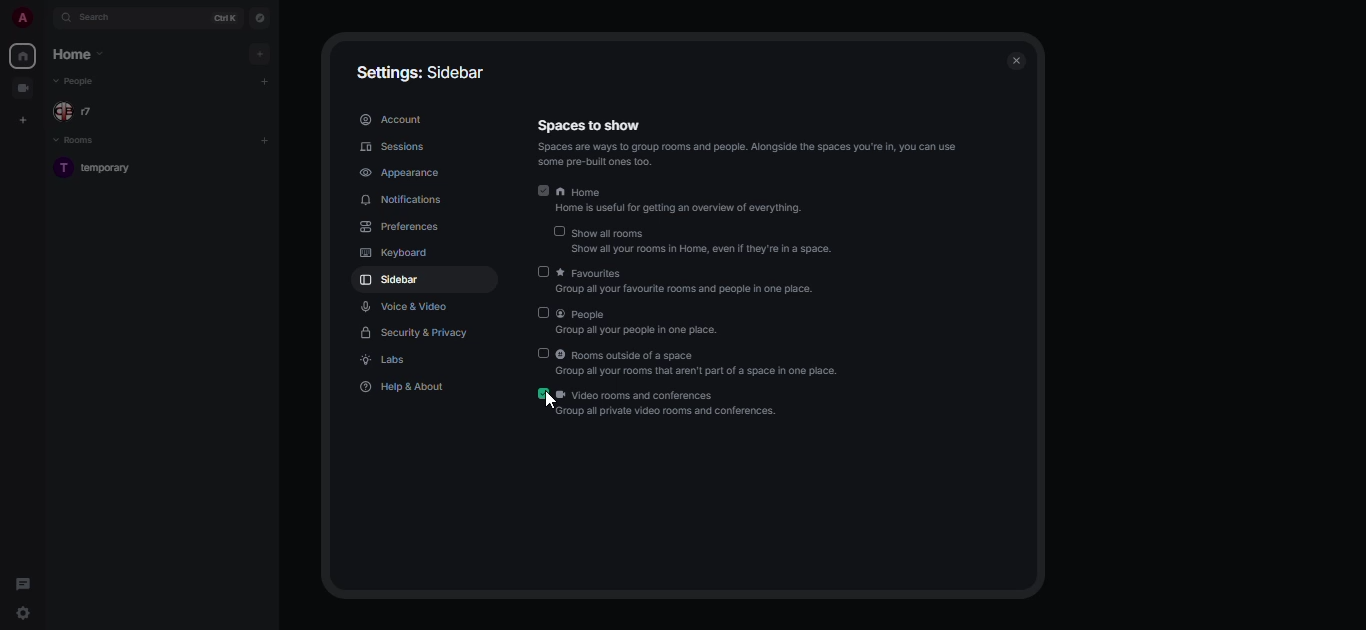 This screenshot has height=630, width=1366. What do you see at coordinates (260, 18) in the screenshot?
I see `navigator` at bounding box center [260, 18].